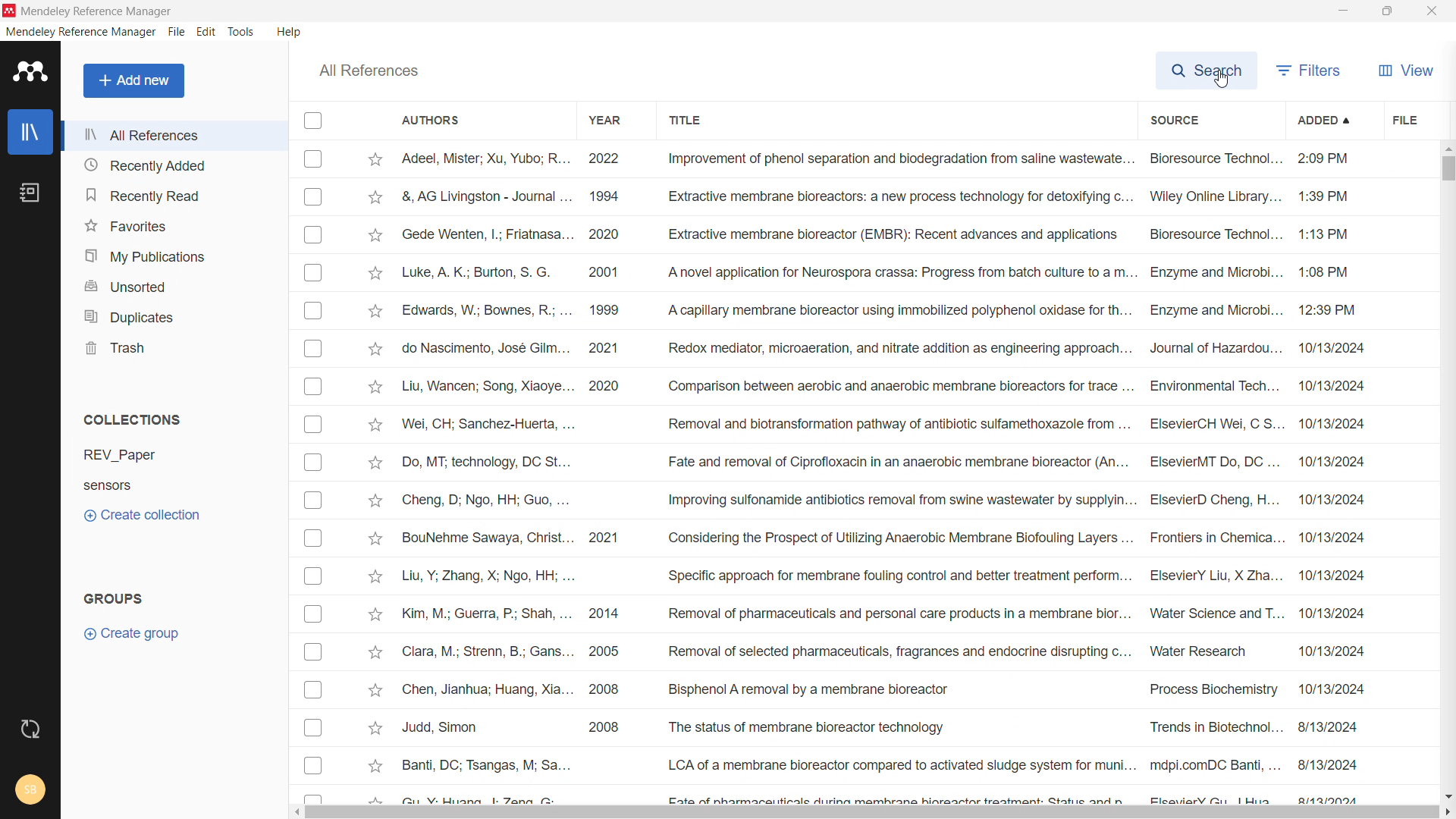 The width and height of the screenshot is (1456, 819). Describe the element at coordinates (902, 234) in the screenshot. I see `Gsede Wenten, |; Friatnasa... 2020 Extractive membrane bioreactor (EMBR): Recent advances and applications Bioresource Technol... 1:13 PM` at that location.